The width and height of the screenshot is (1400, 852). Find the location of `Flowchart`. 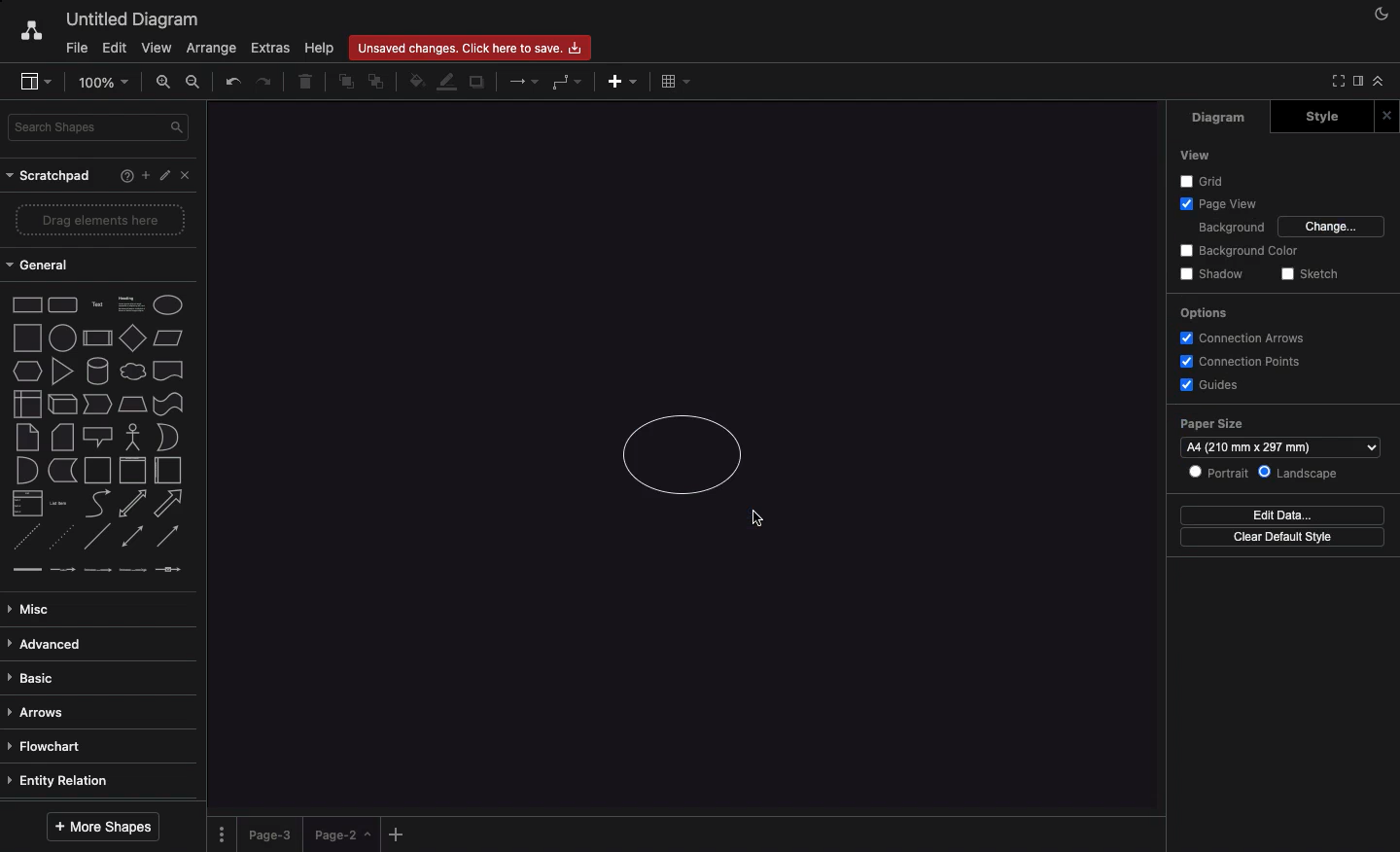

Flowchart is located at coordinates (53, 747).